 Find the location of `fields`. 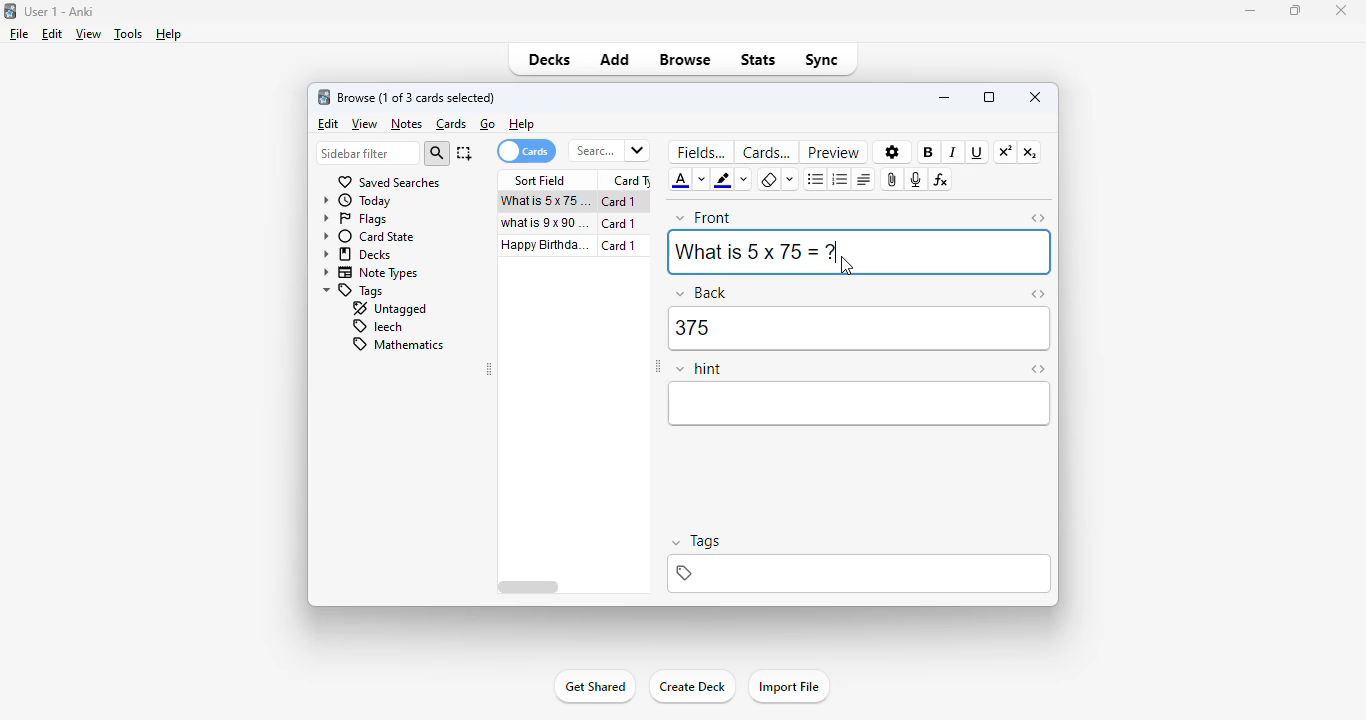

fields is located at coordinates (701, 152).